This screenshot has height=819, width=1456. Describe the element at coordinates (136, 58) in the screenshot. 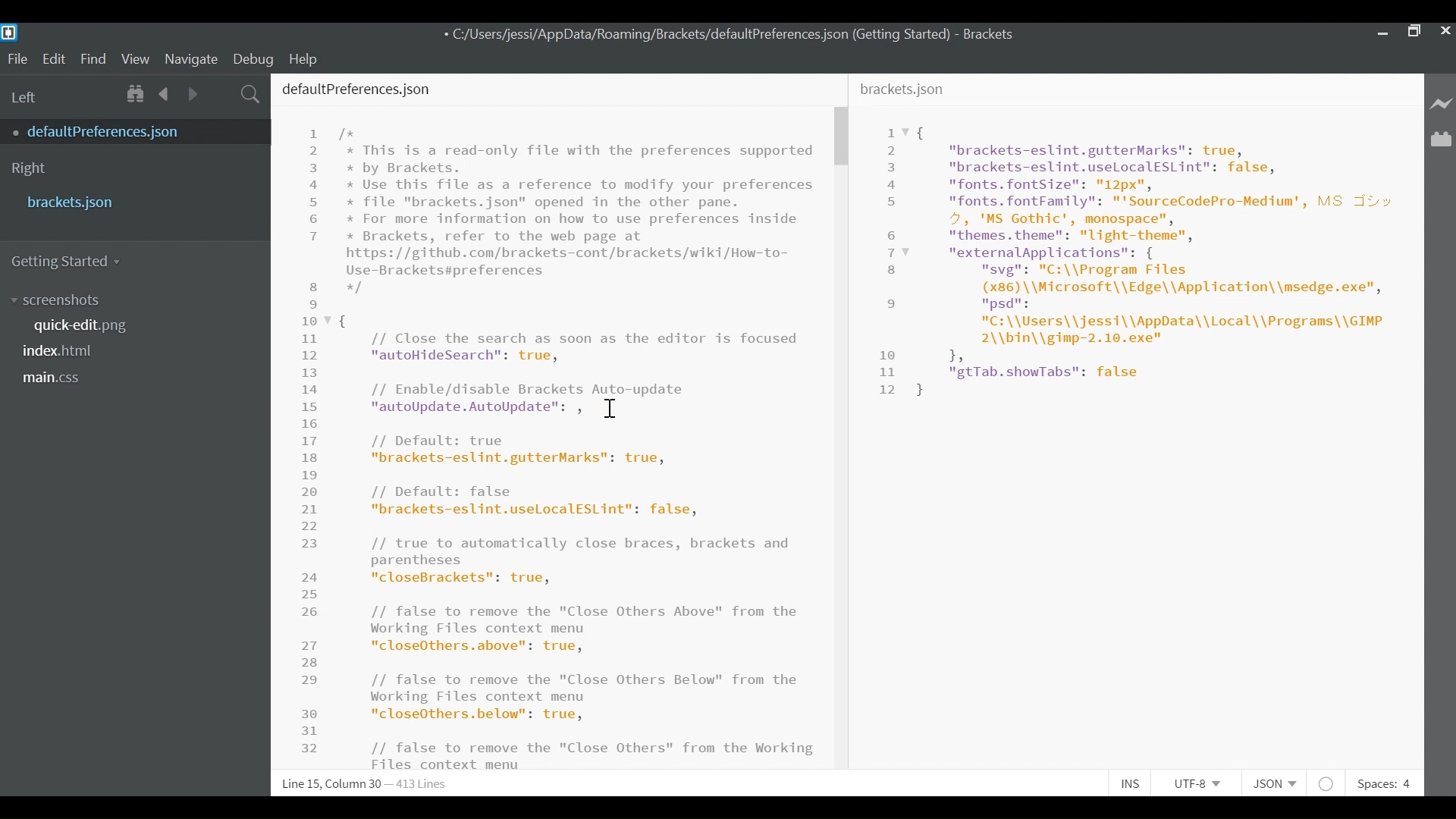

I see `View` at that location.